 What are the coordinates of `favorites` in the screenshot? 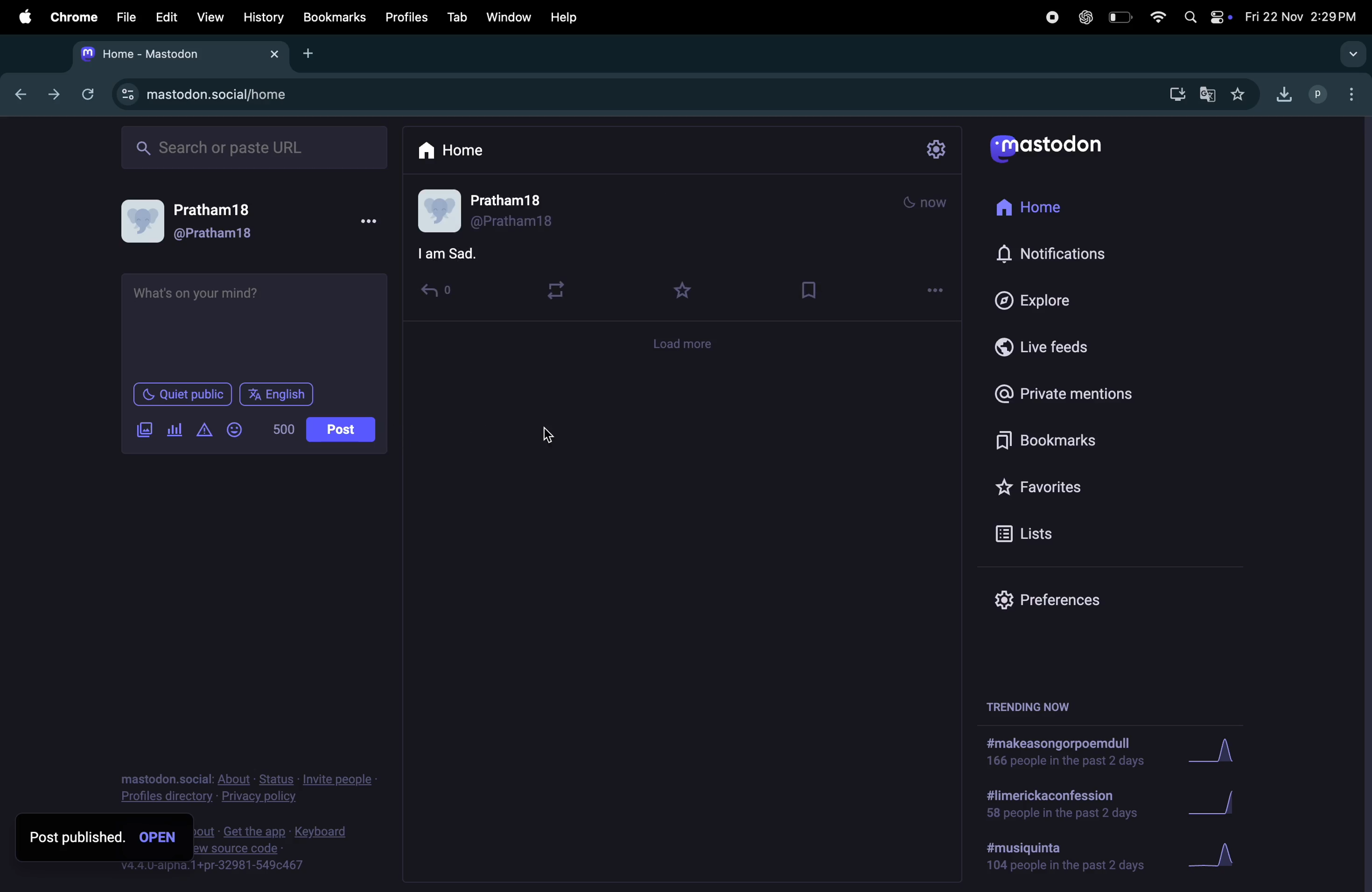 It's located at (1242, 95).